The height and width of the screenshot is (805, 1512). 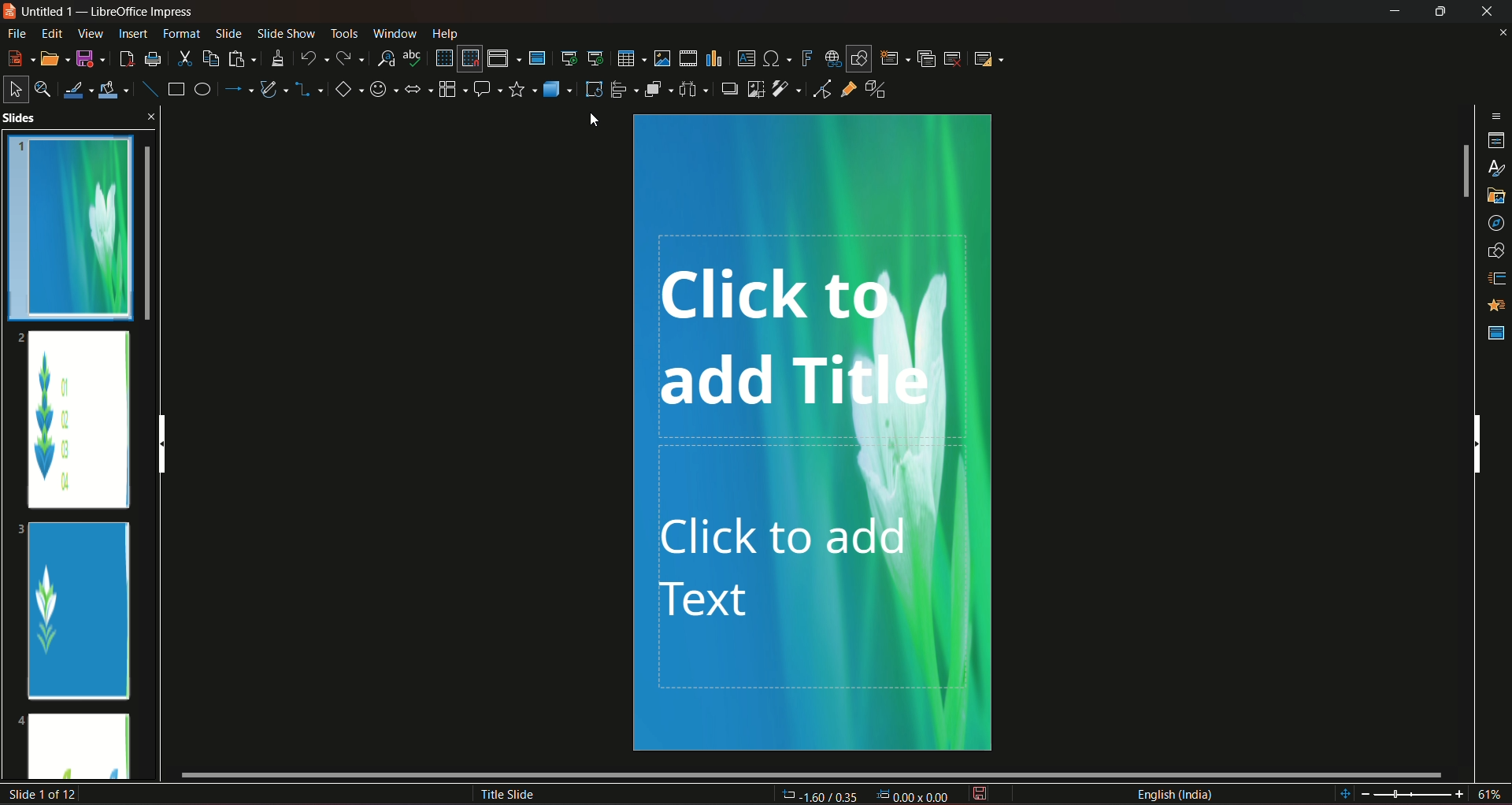 I want to click on filter, so click(x=785, y=89).